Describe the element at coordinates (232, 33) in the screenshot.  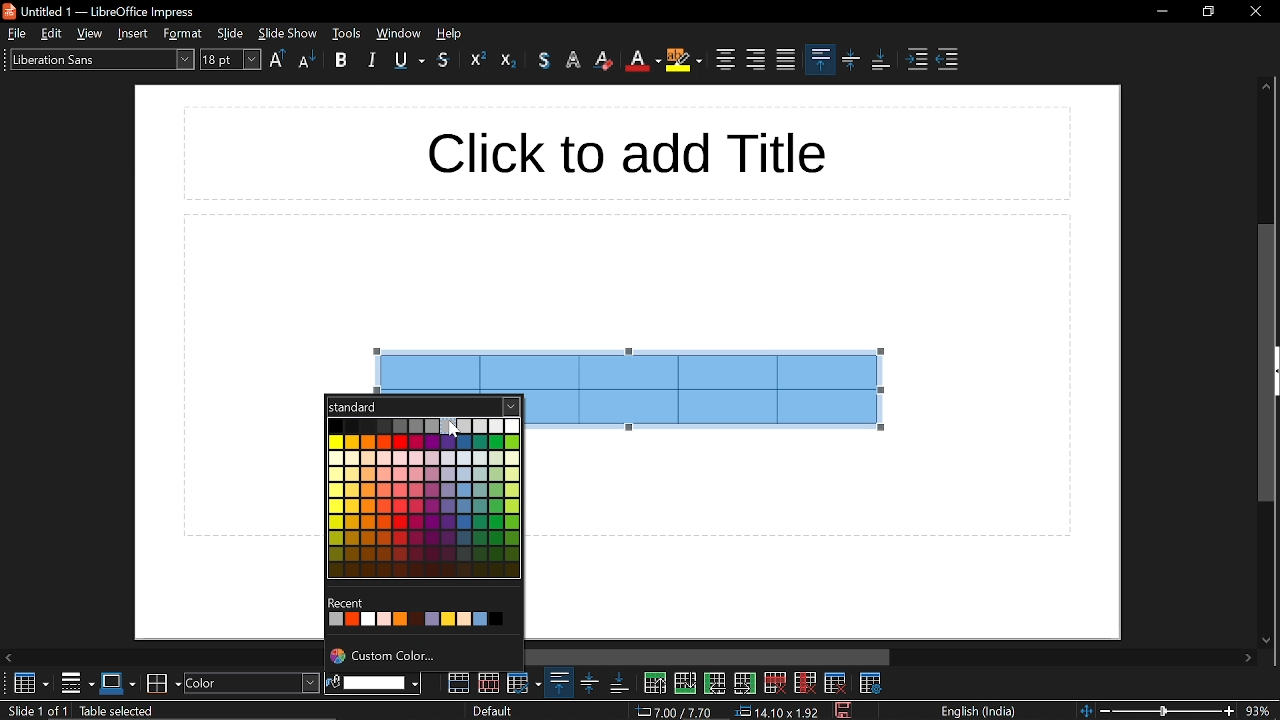
I see `slide` at that location.